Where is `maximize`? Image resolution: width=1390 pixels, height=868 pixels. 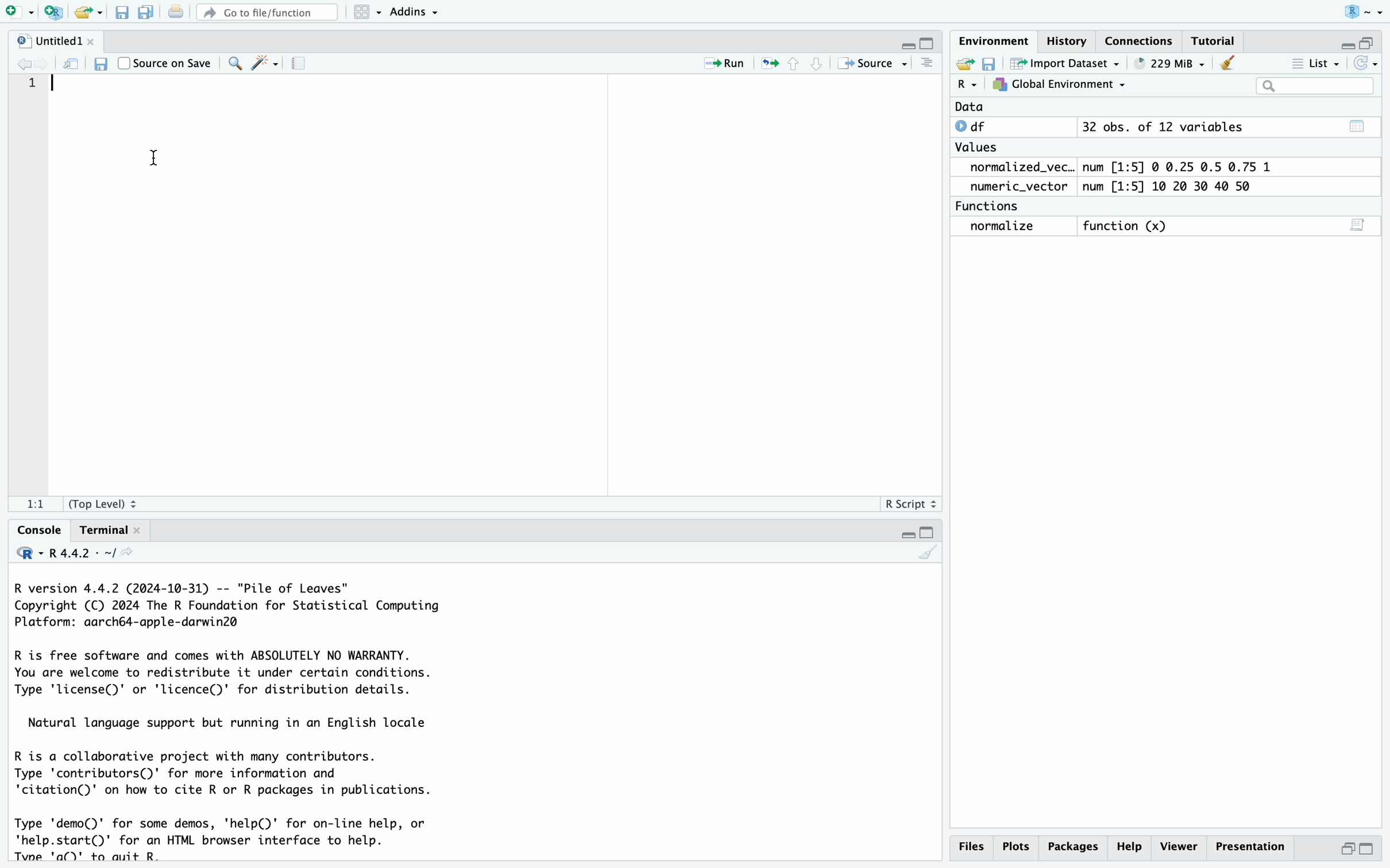
maximize is located at coordinates (1368, 43).